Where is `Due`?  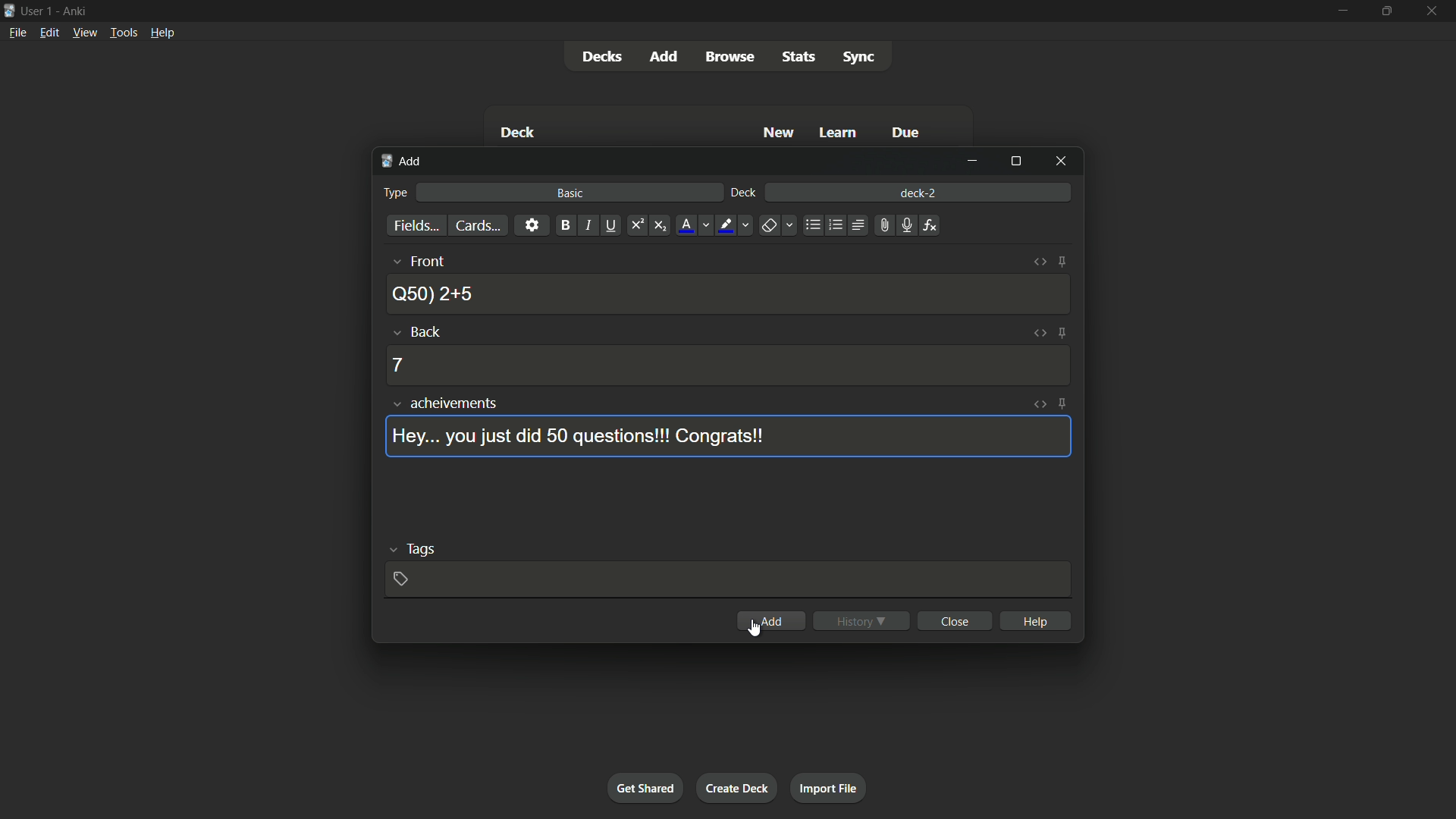 Due is located at coordinates (907, 132).